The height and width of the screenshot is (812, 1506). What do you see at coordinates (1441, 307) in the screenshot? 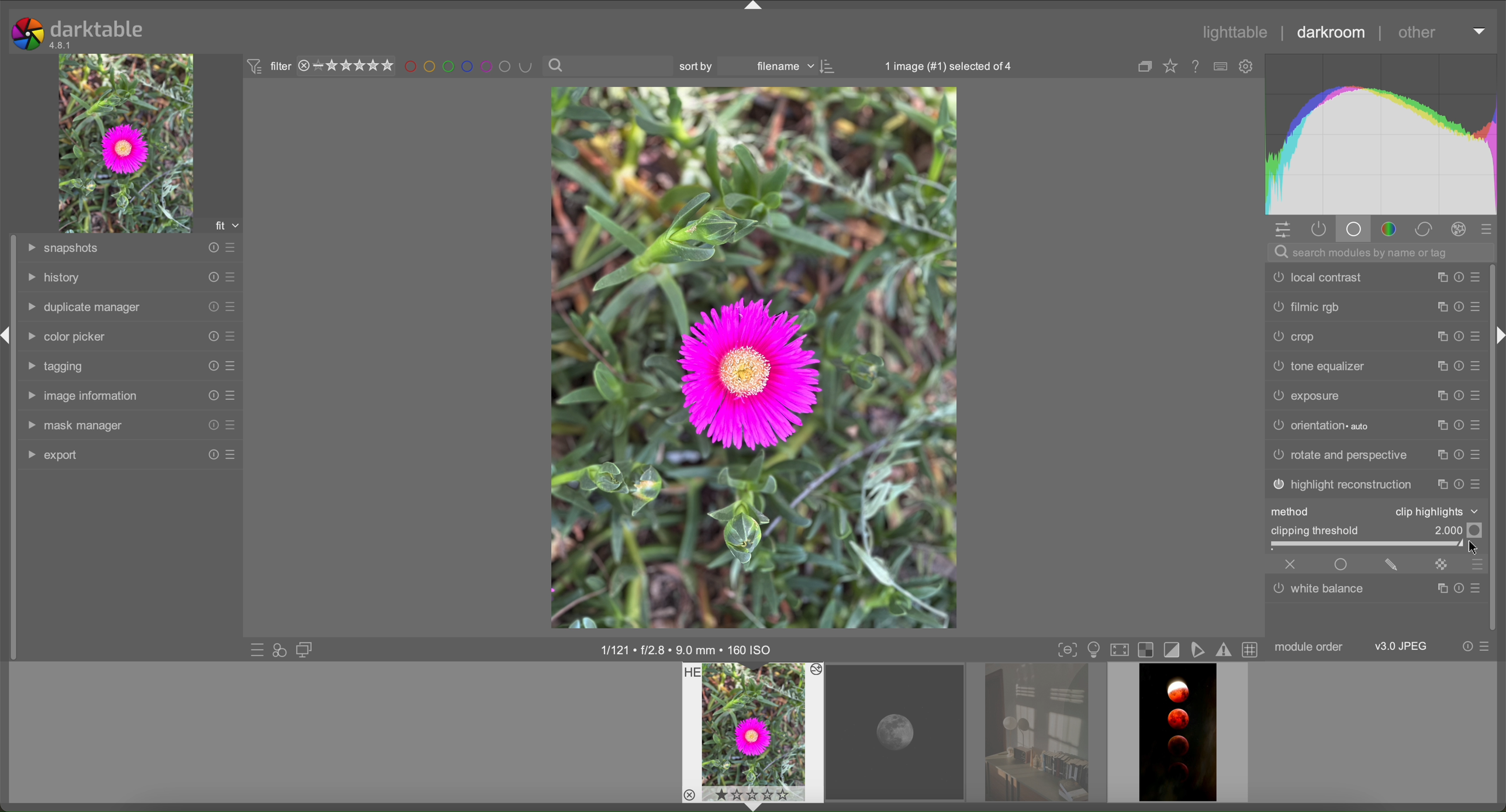
I see `copy` at bounding box center [1441, 307].